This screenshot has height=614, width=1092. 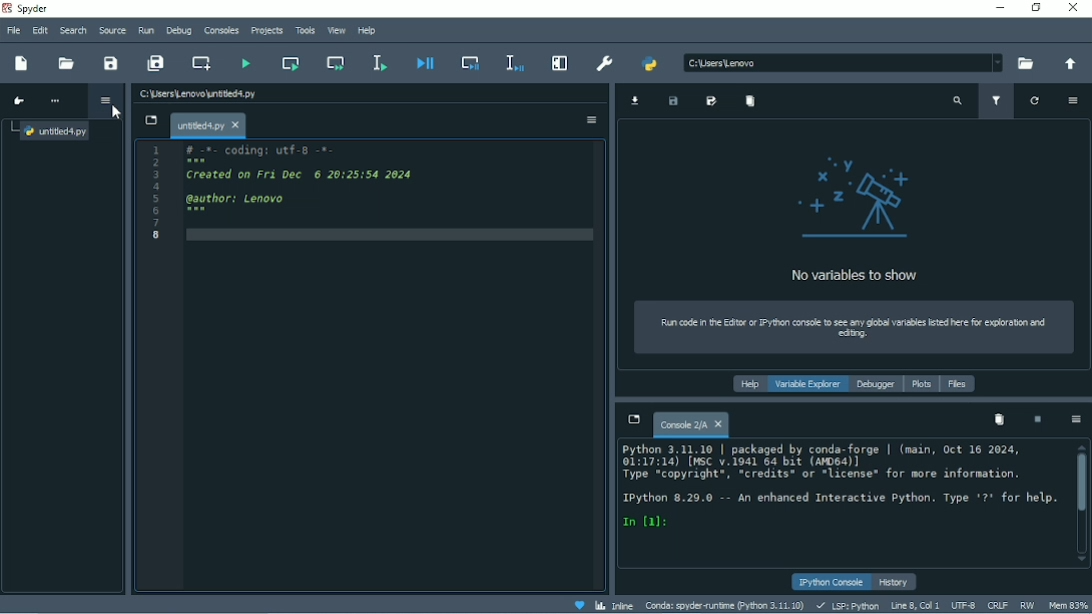 What do you see at coordinates (997, 8) in the screenshot?
I see `Minimize` at bounding box center [997, 8].